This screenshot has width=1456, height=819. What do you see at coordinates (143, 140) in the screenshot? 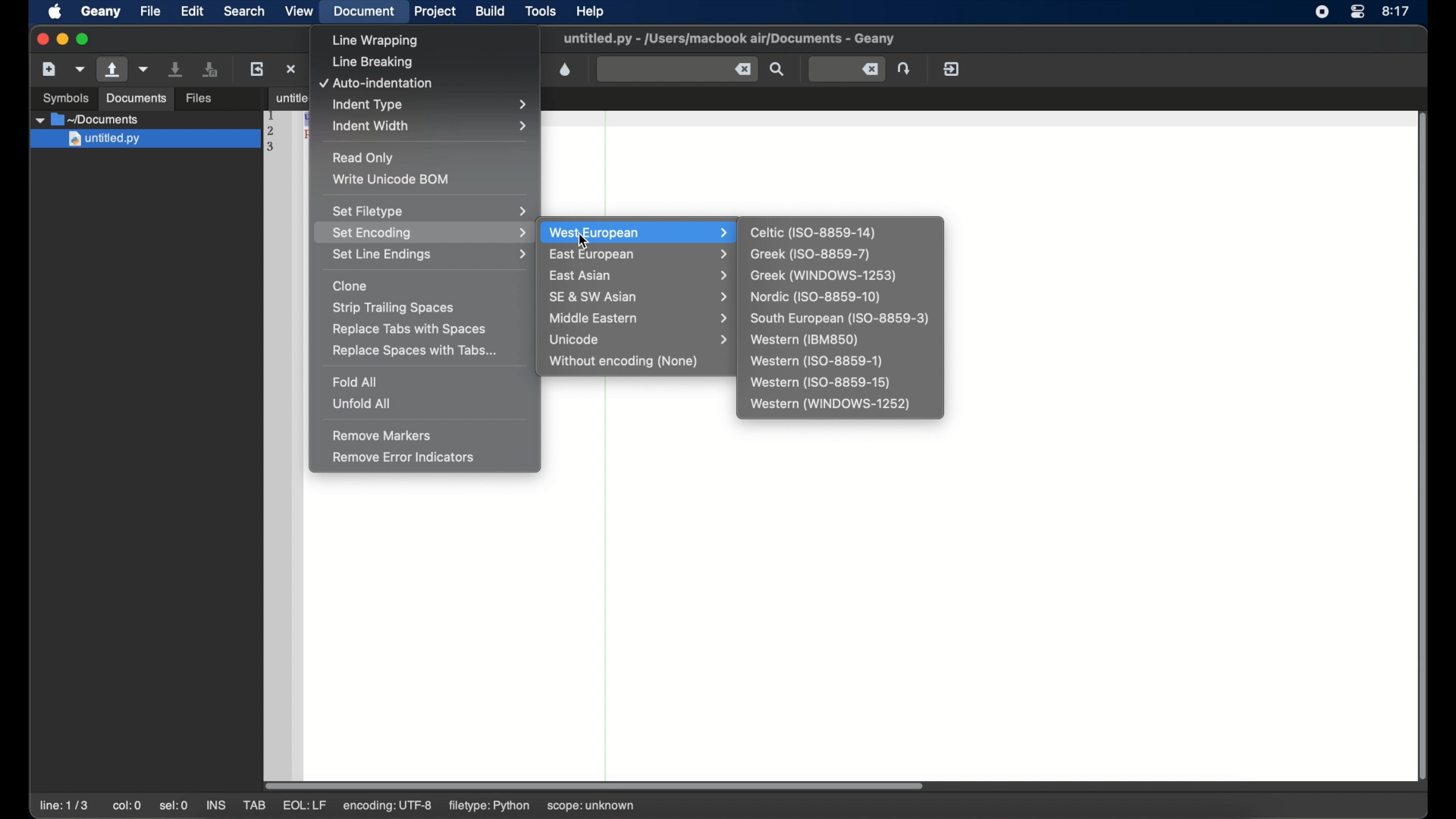
I see `` at bounding box center [143, 140].